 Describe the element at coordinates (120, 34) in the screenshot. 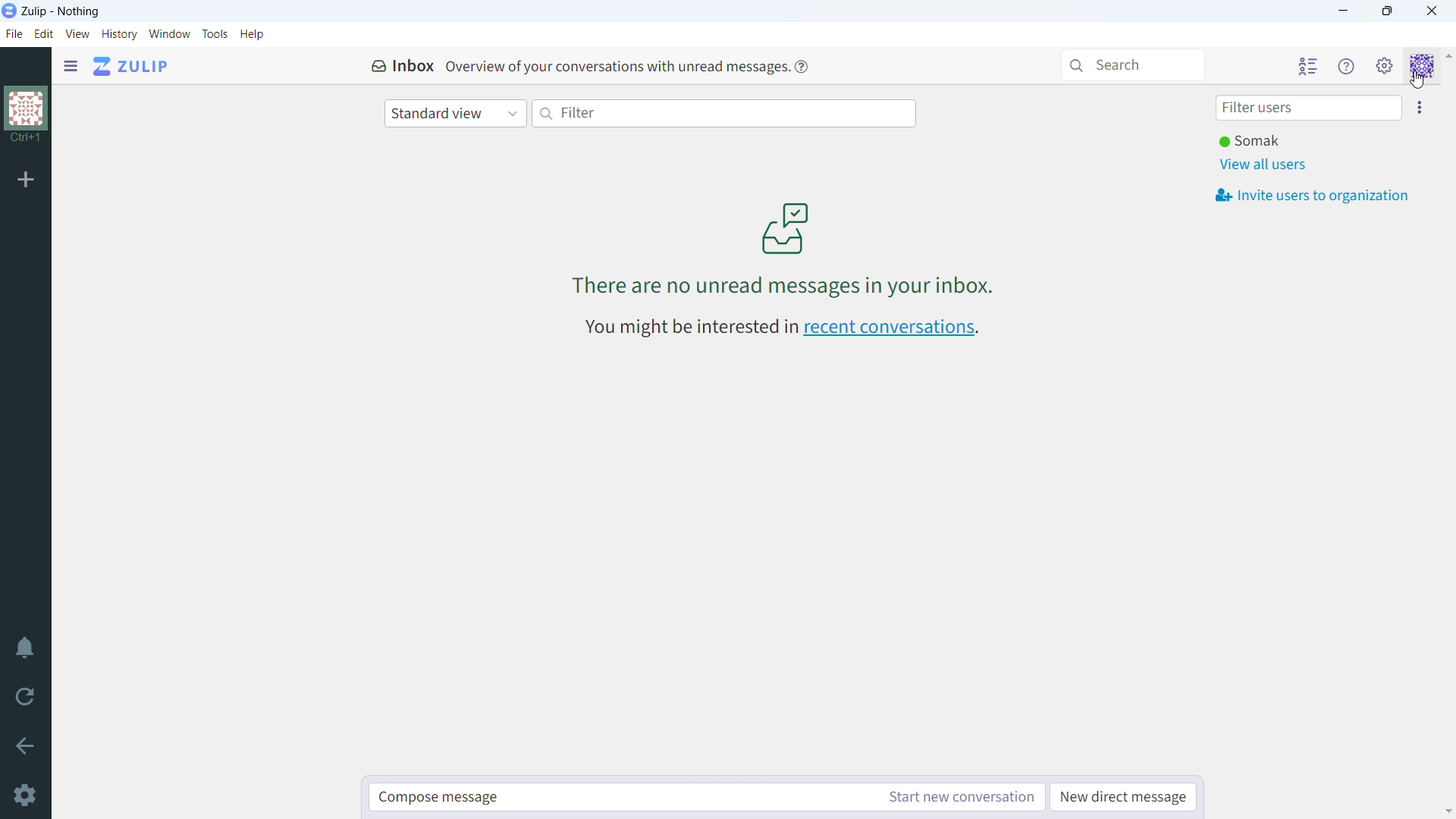

I see `history` at that location.